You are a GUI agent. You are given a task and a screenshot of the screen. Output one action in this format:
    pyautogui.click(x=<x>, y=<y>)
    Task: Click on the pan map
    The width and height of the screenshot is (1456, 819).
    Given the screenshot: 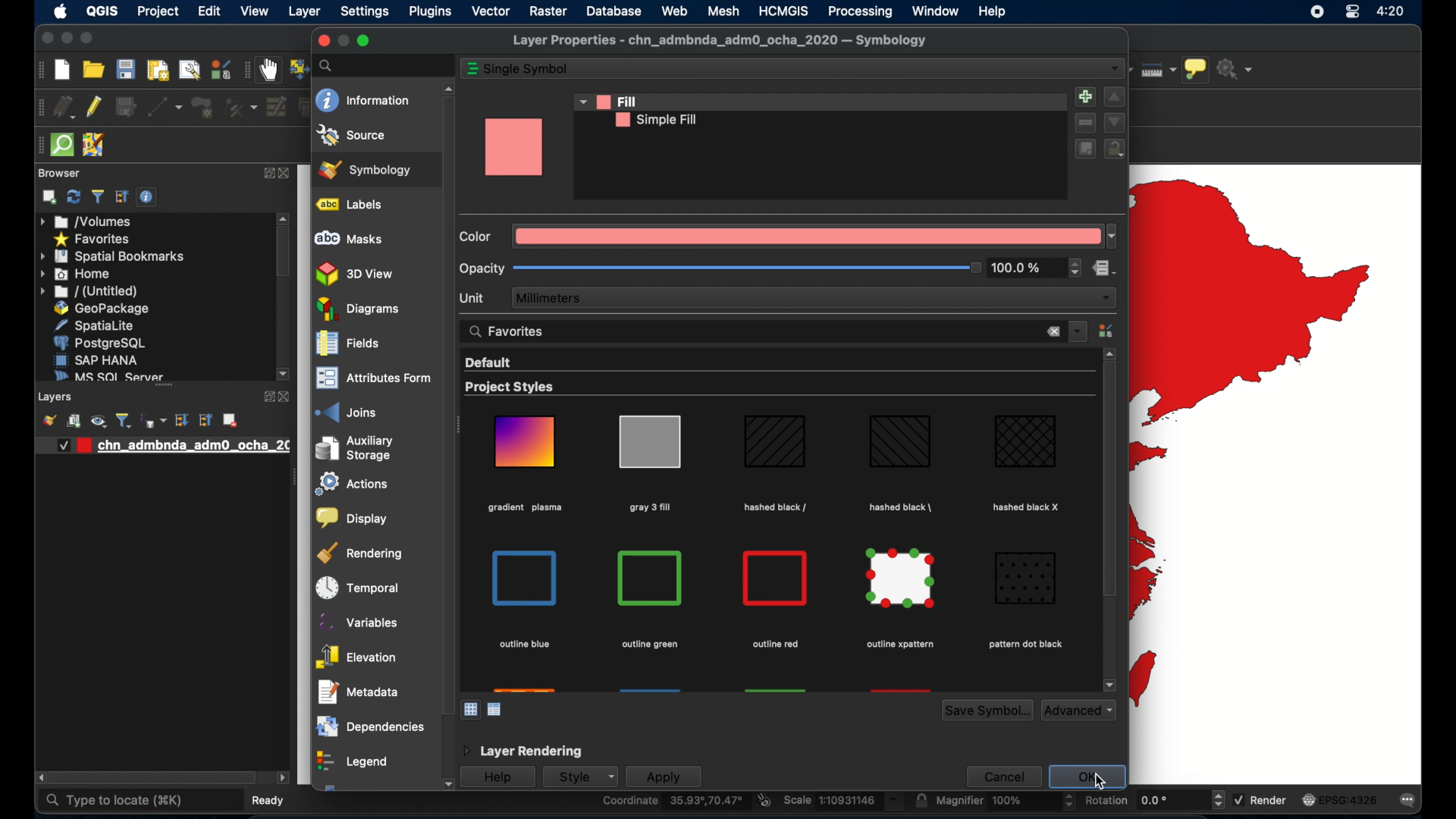 What is the action you would take?
    pyautogui.click(x=268, y=71)
    